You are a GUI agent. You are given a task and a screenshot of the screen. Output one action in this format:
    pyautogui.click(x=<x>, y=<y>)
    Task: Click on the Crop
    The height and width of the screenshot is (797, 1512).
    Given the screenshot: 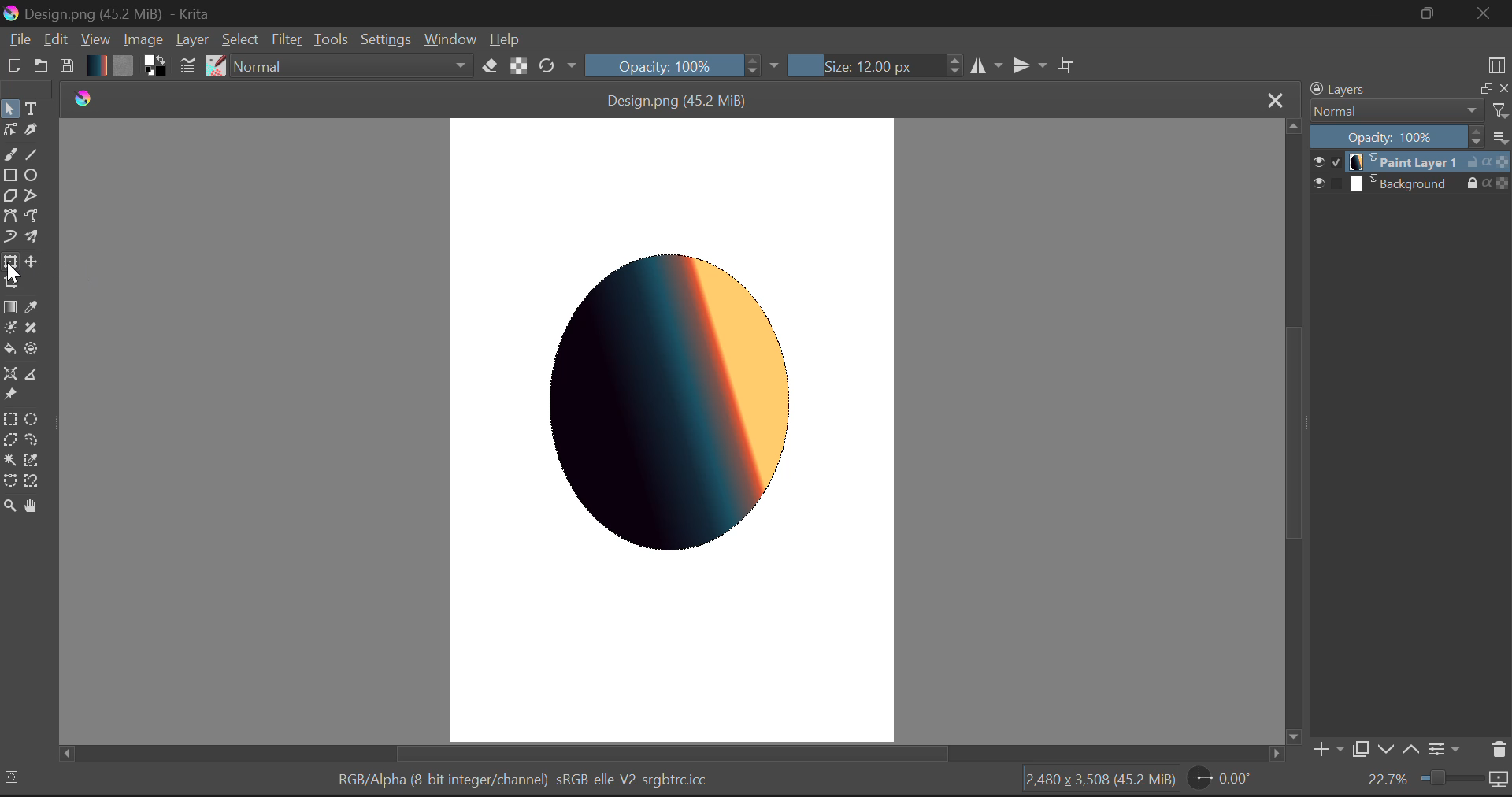 What is the action you would take?
    pyautogui.click(x=10, y=284)
    